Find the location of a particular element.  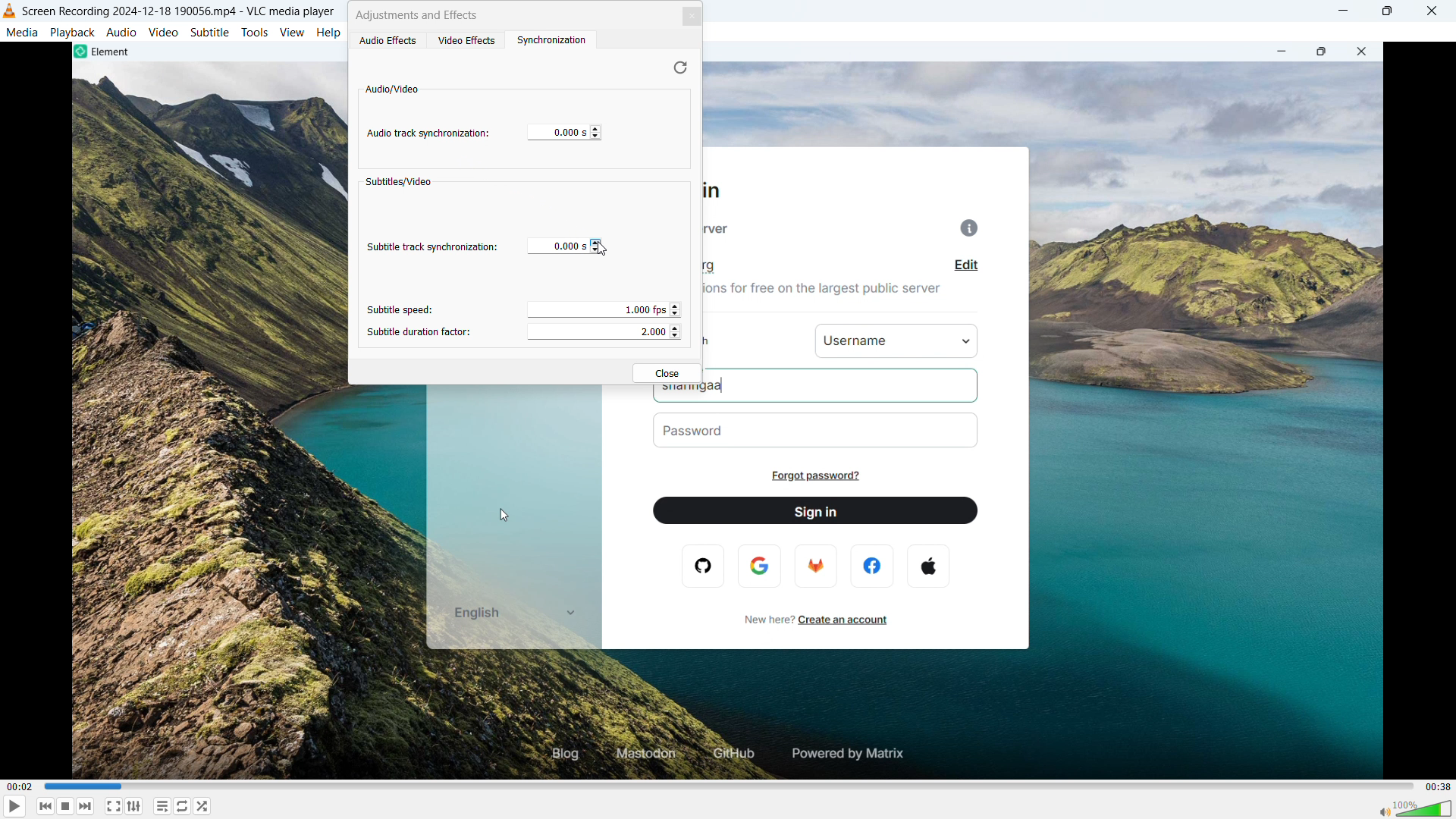

sign in with is located at coordinates (717, 340).